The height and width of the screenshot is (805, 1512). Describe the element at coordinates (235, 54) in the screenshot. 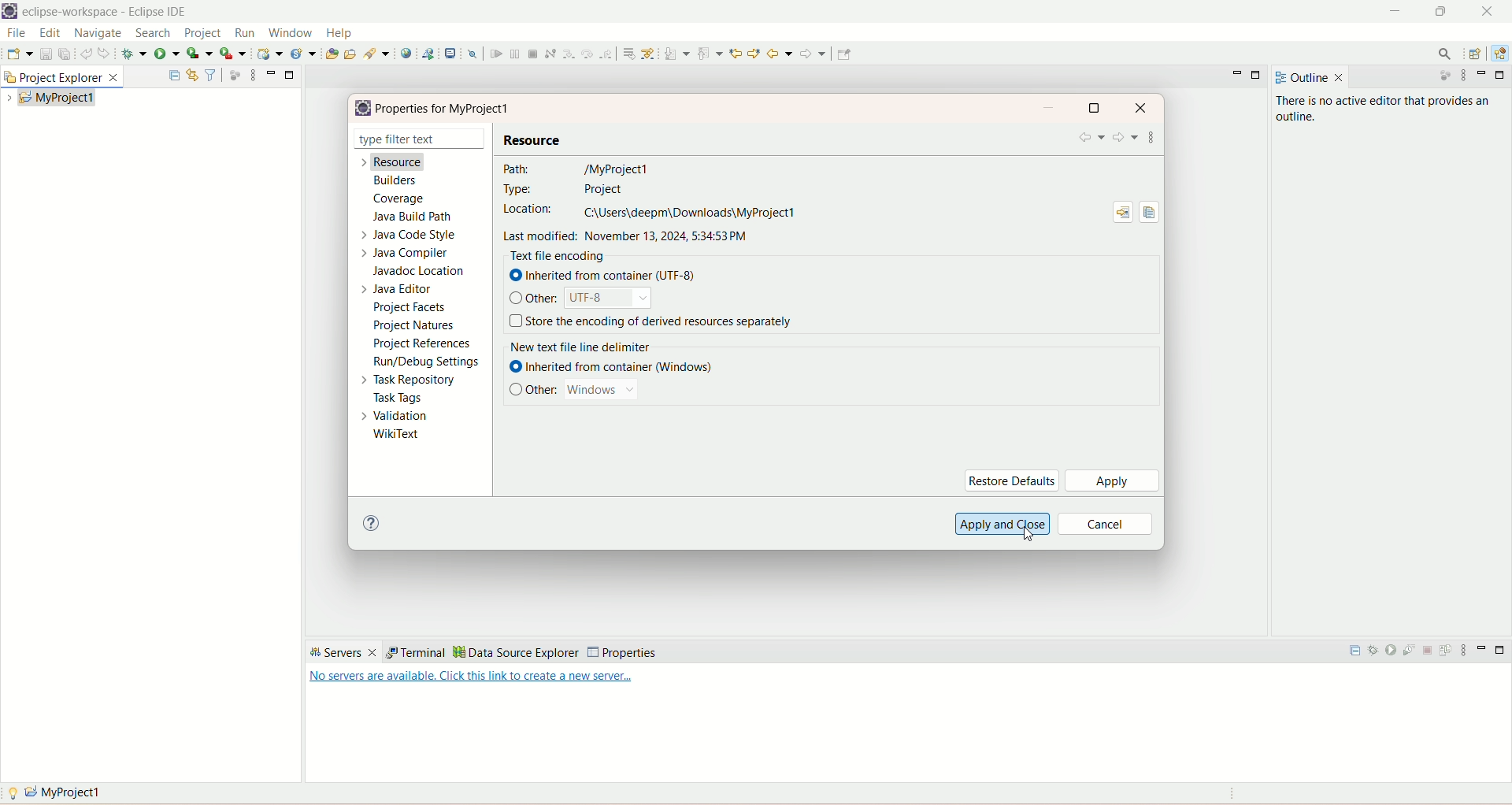

I see `run last tool` at that location.